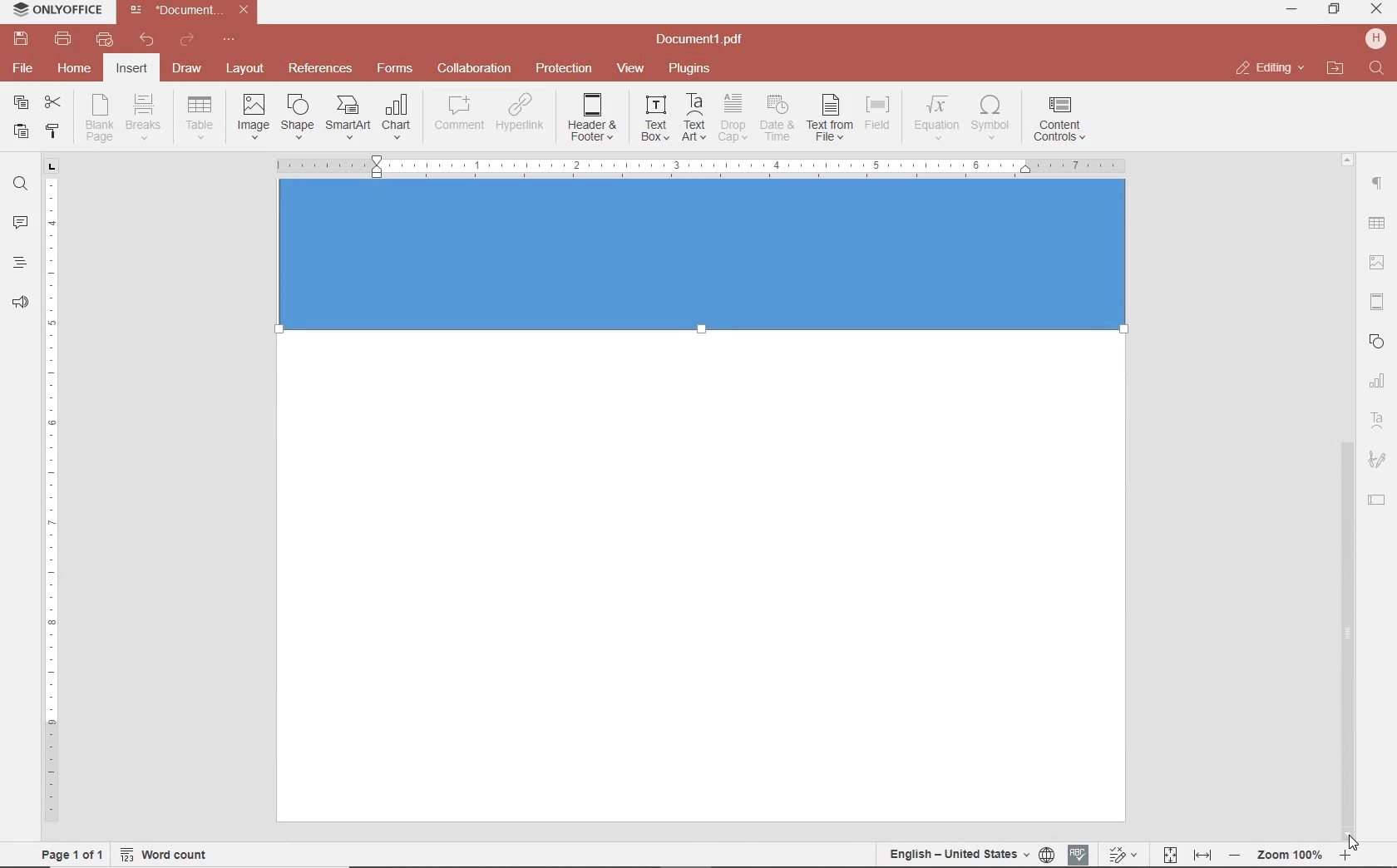 This screenshot has width=1397, height=868. What do you see at coordinates (53, 11) in the screenshot?
I see `system name` at bounding box center [53, 11].